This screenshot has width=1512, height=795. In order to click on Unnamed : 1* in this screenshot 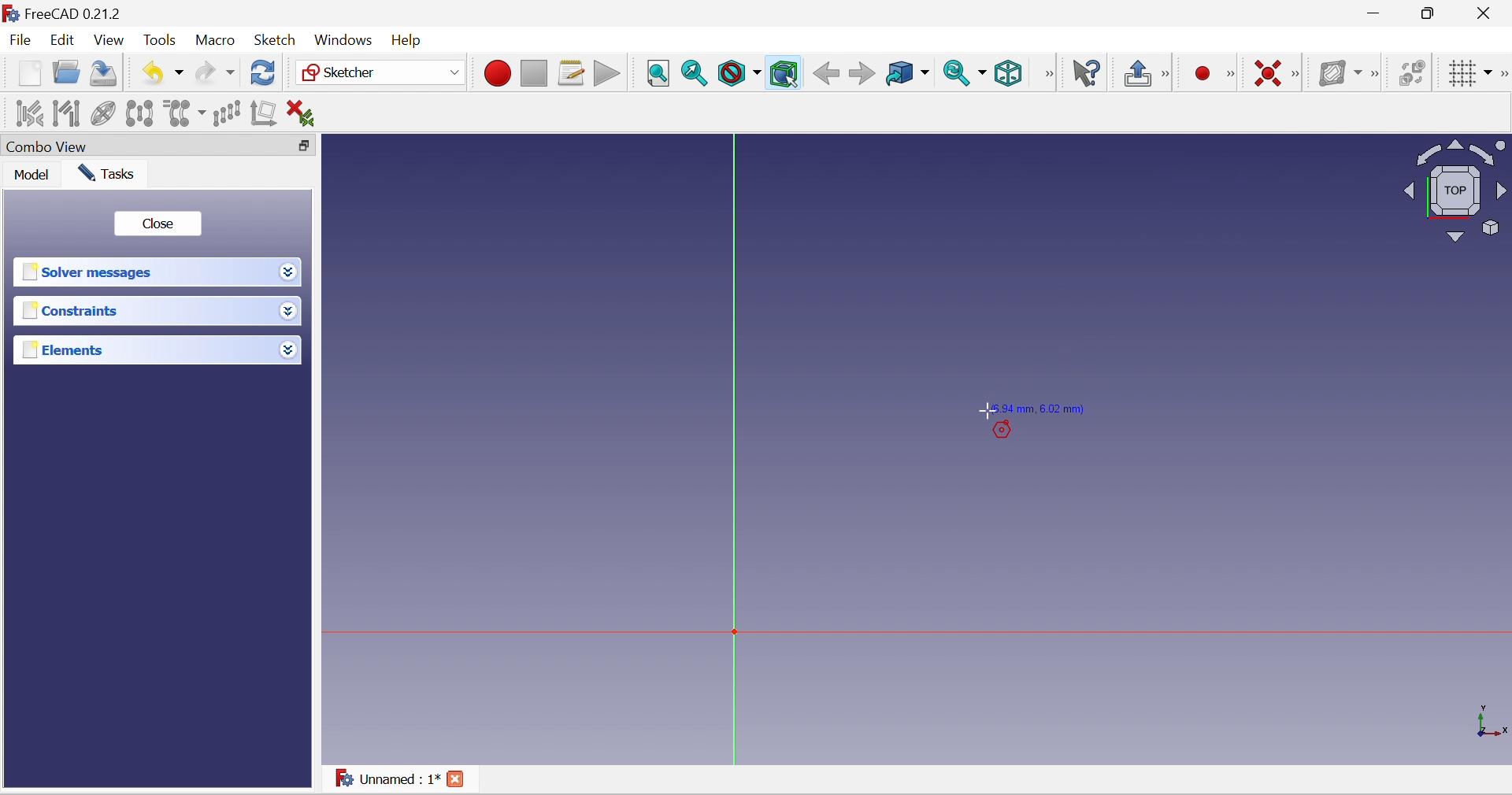, I will do `click(388, 777)`.